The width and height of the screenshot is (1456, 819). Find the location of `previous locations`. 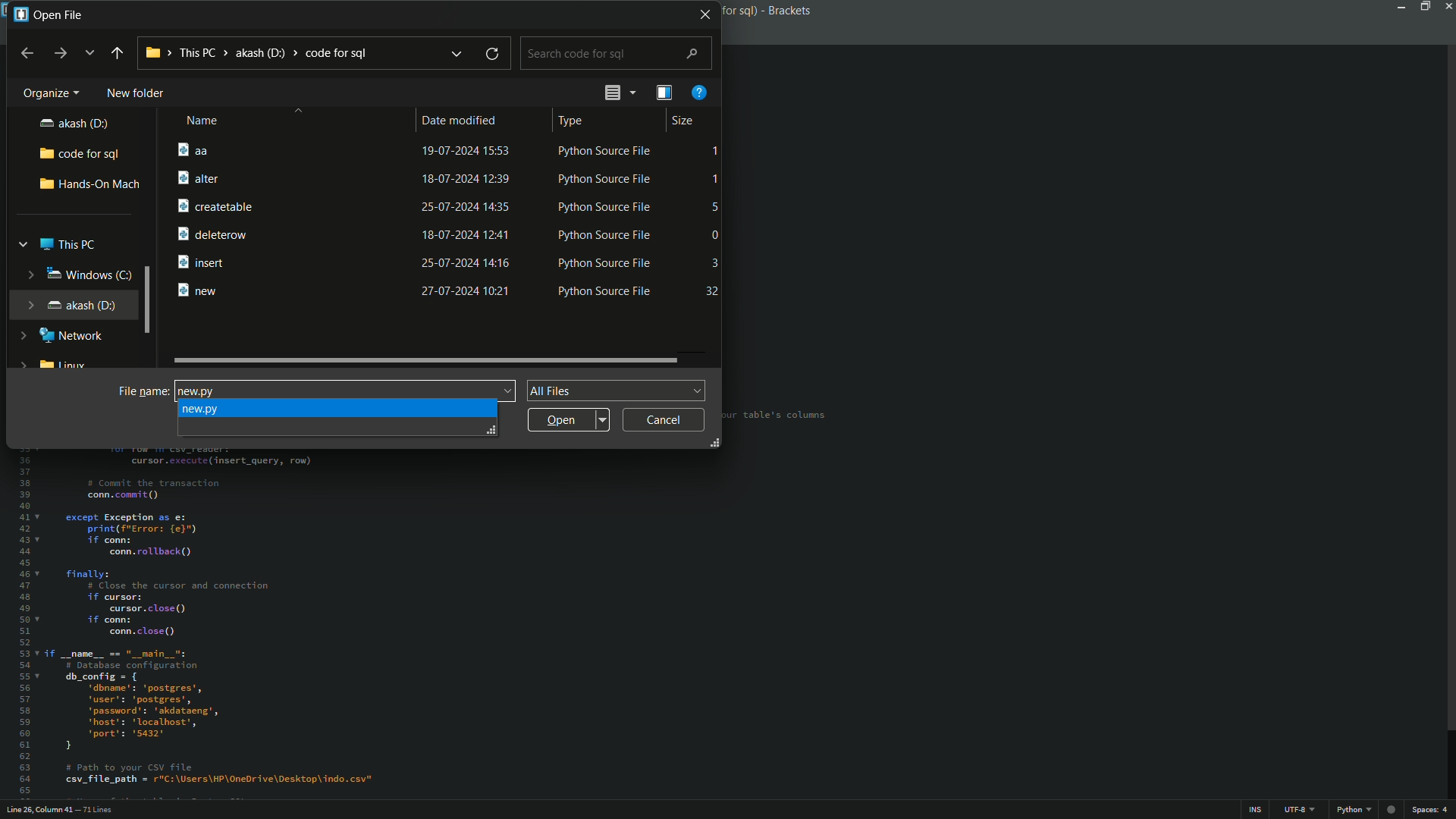

previous locations is located at coordinates (457, 54).